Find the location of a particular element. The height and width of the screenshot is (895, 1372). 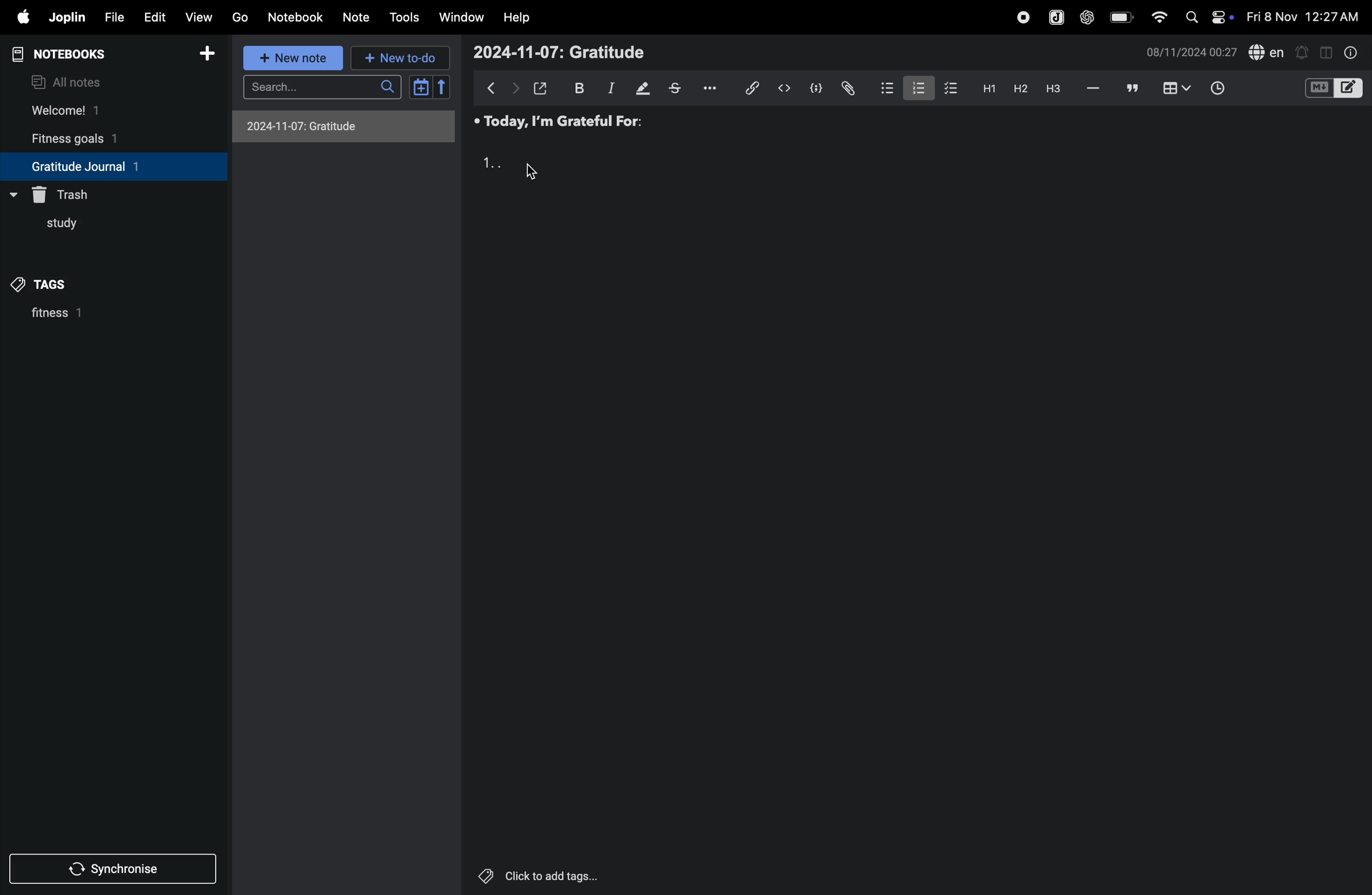

help is located at coordinates (517, 18).